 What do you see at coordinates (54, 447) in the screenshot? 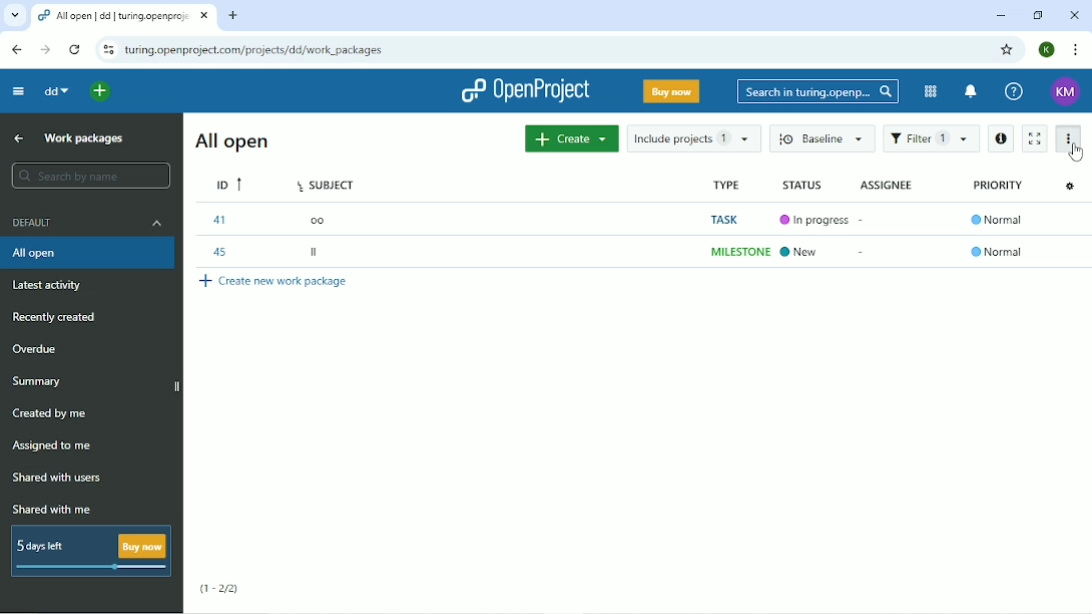
I see `Assigned to me` at bounding box center [54, 447].